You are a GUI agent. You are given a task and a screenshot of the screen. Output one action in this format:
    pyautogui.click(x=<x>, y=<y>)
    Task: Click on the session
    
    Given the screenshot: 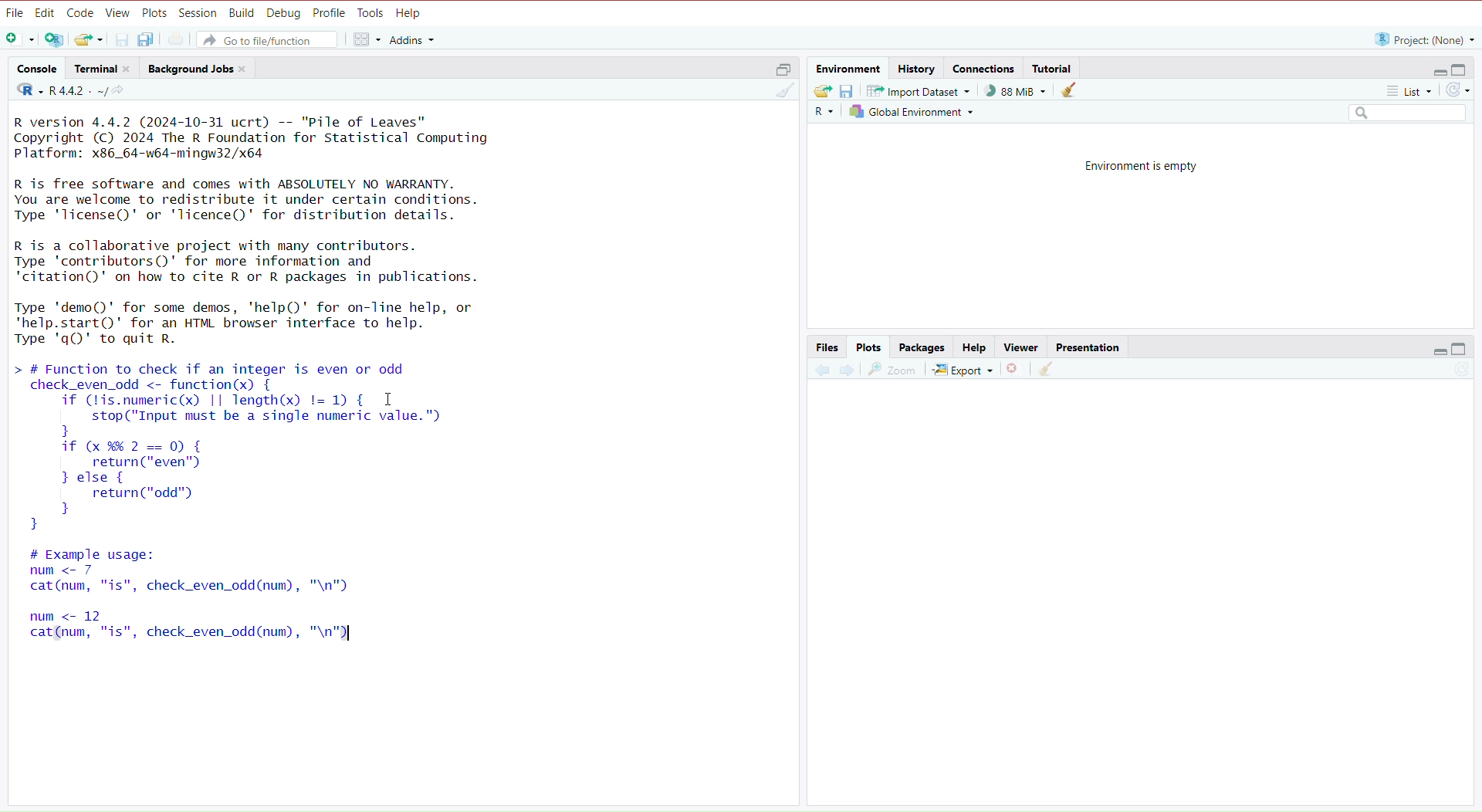 What is the action you would take?
    pyautogui.click(x=198, y=14)
    